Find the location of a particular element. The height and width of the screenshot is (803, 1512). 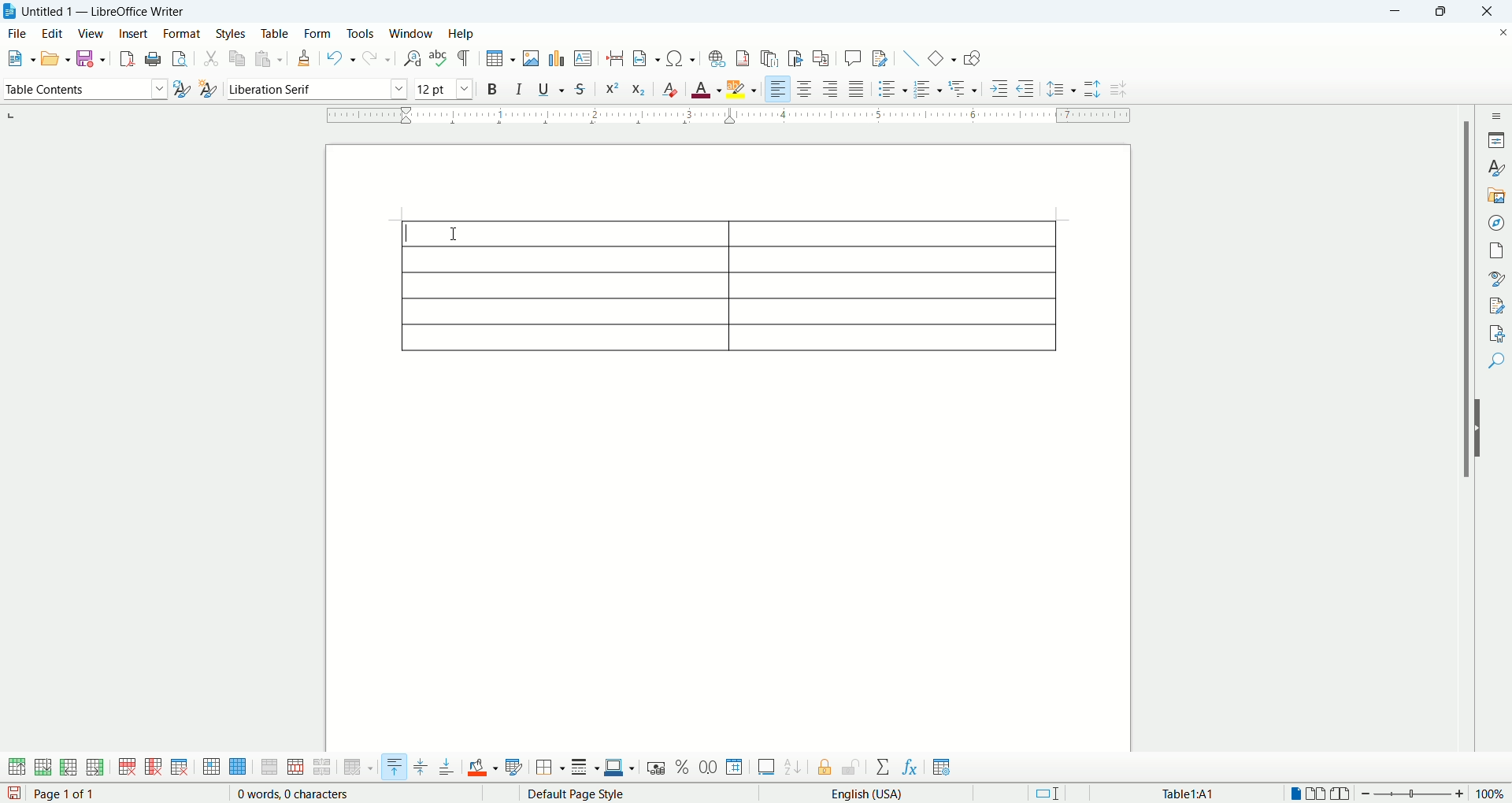

edit is located at coordinates (51, 33).